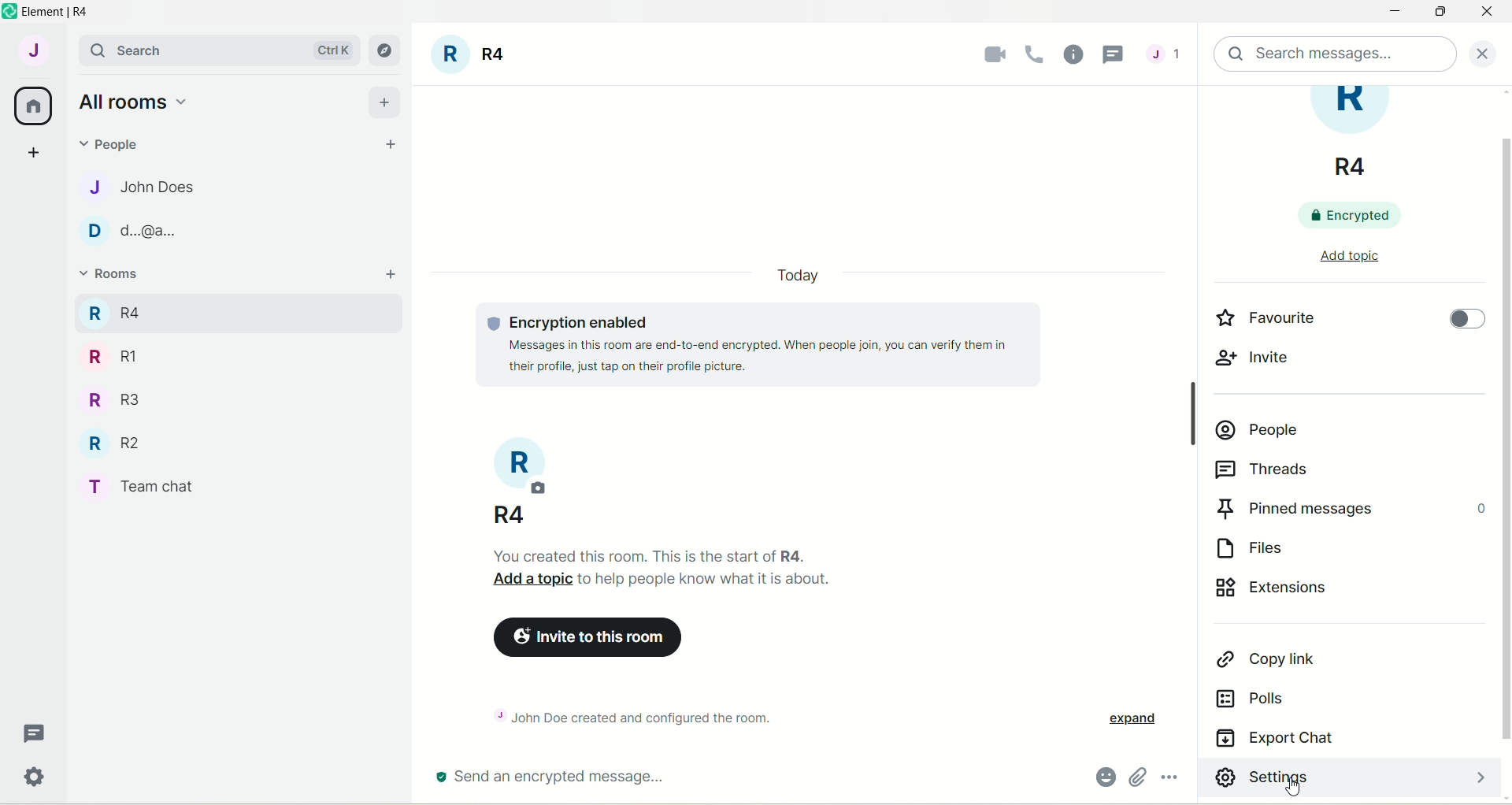  I want to click on threads, so click(1269, 470).